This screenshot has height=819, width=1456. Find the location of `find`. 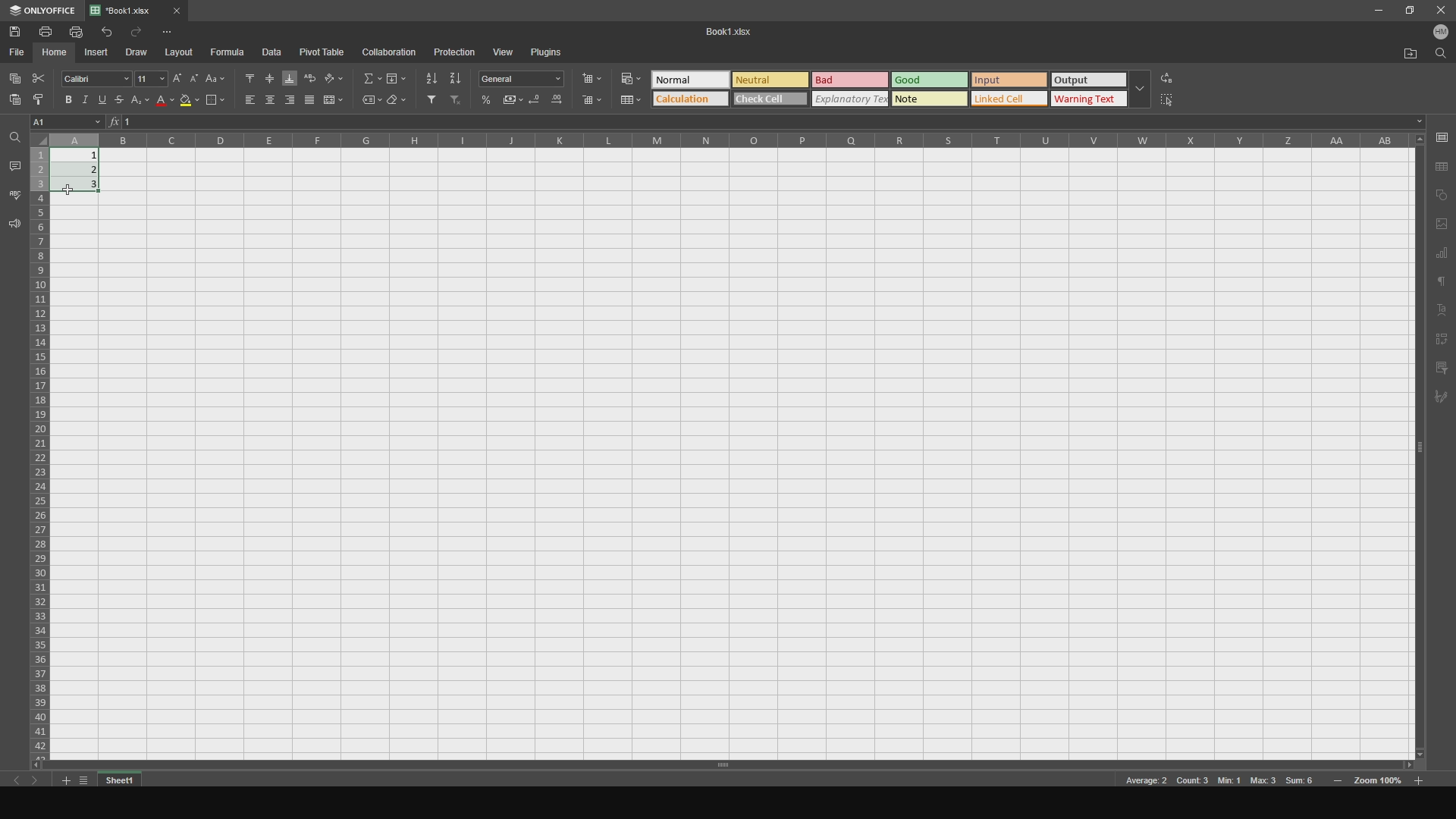

find is located at coordinates (14, 138).